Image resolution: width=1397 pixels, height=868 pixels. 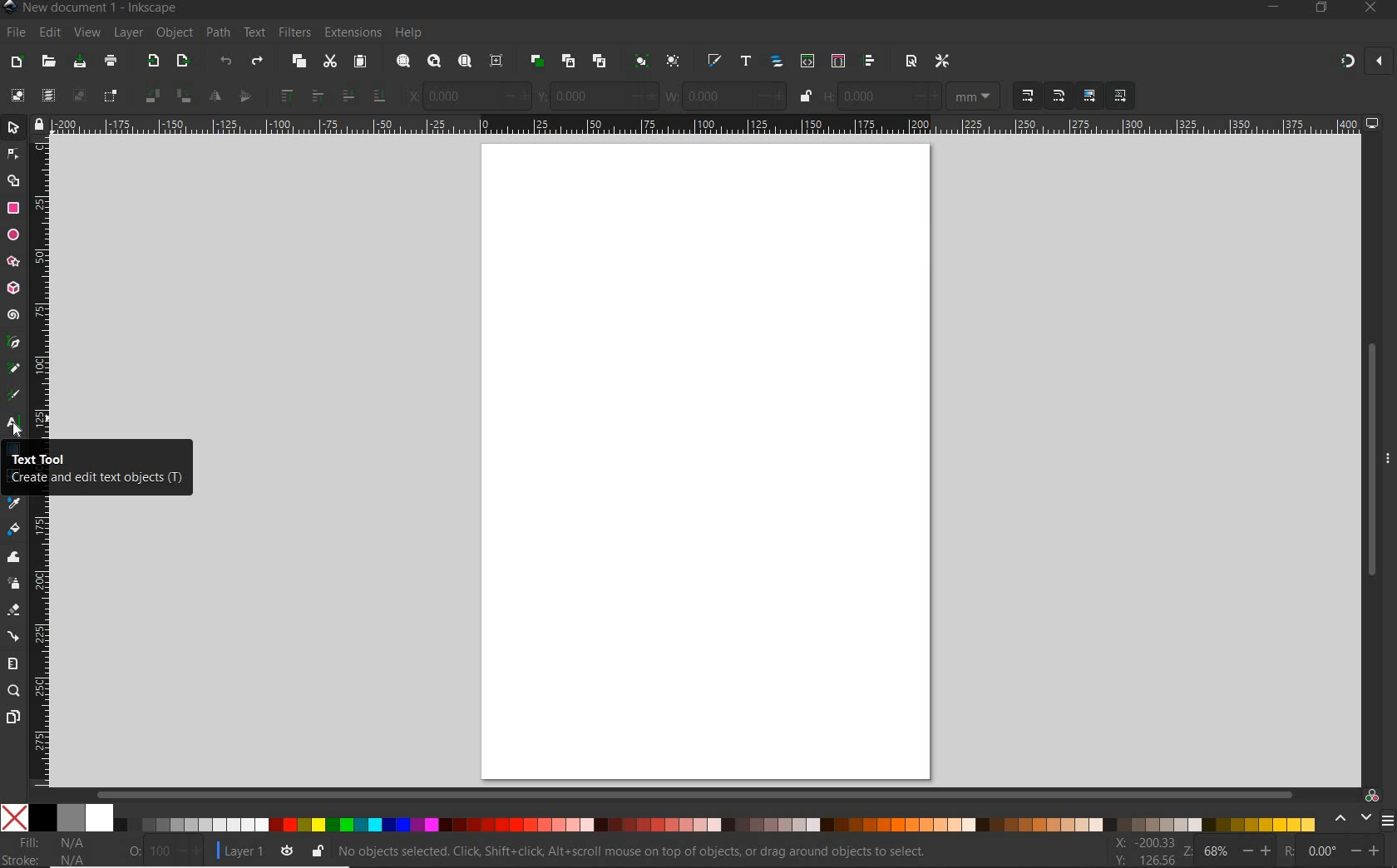 What do you see at coordinates (215, 31) in the screenshot?
I see `path` at bounding box center [215, 31].